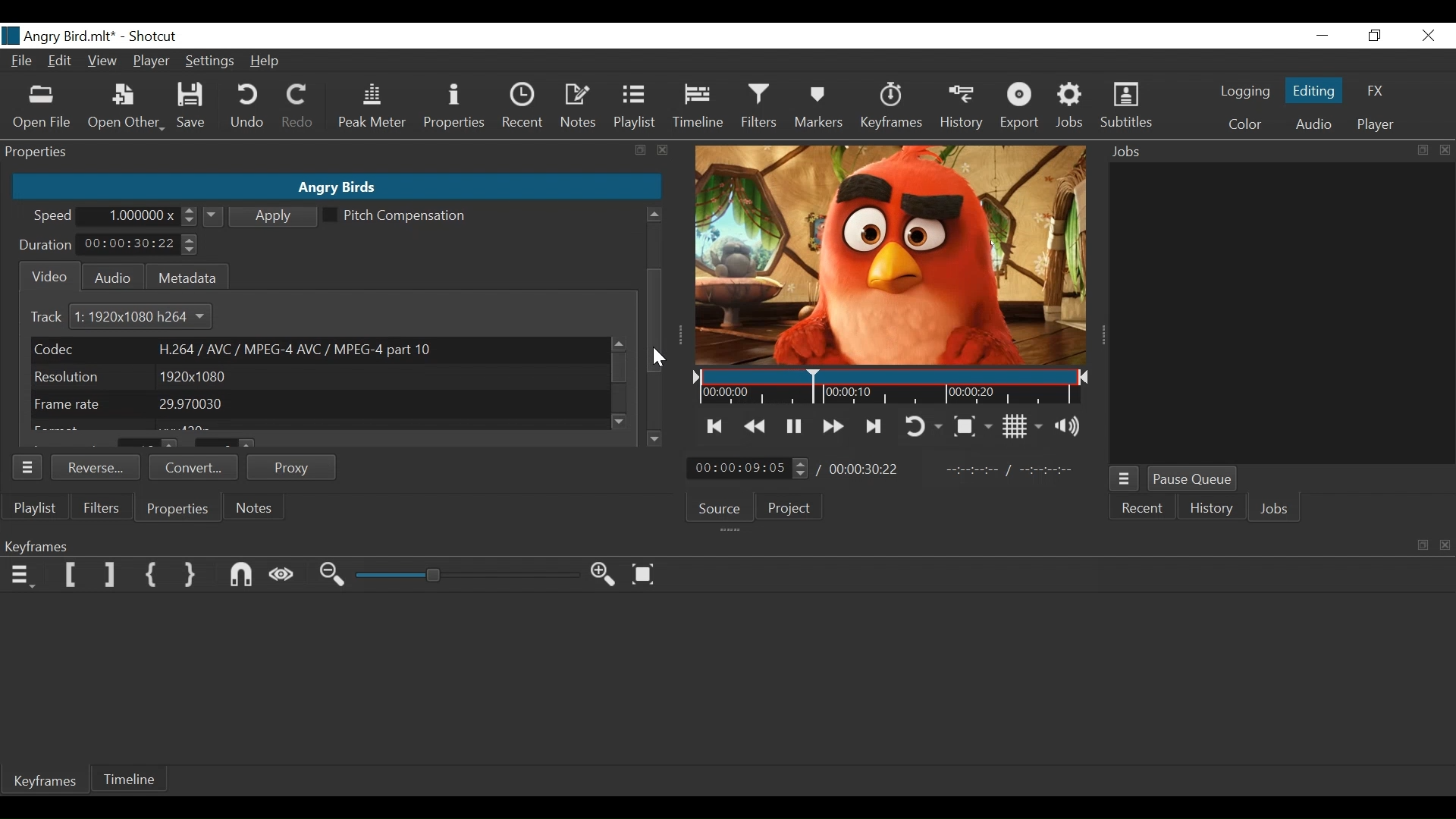 The image size is (1456, 819). I want to click on Notes, so click(579, 108).